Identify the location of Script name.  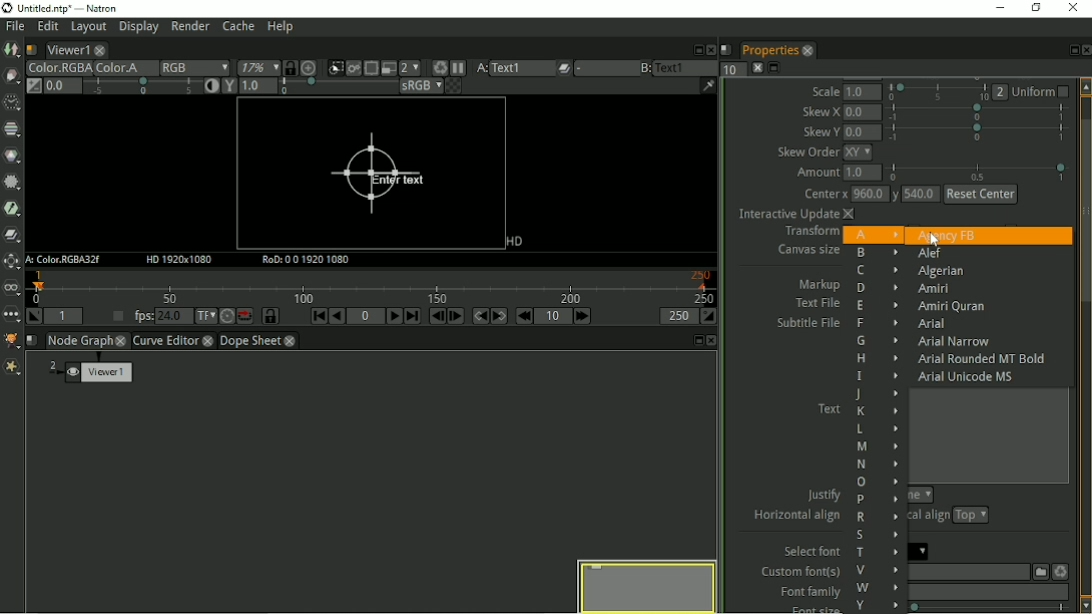
(726, 49).